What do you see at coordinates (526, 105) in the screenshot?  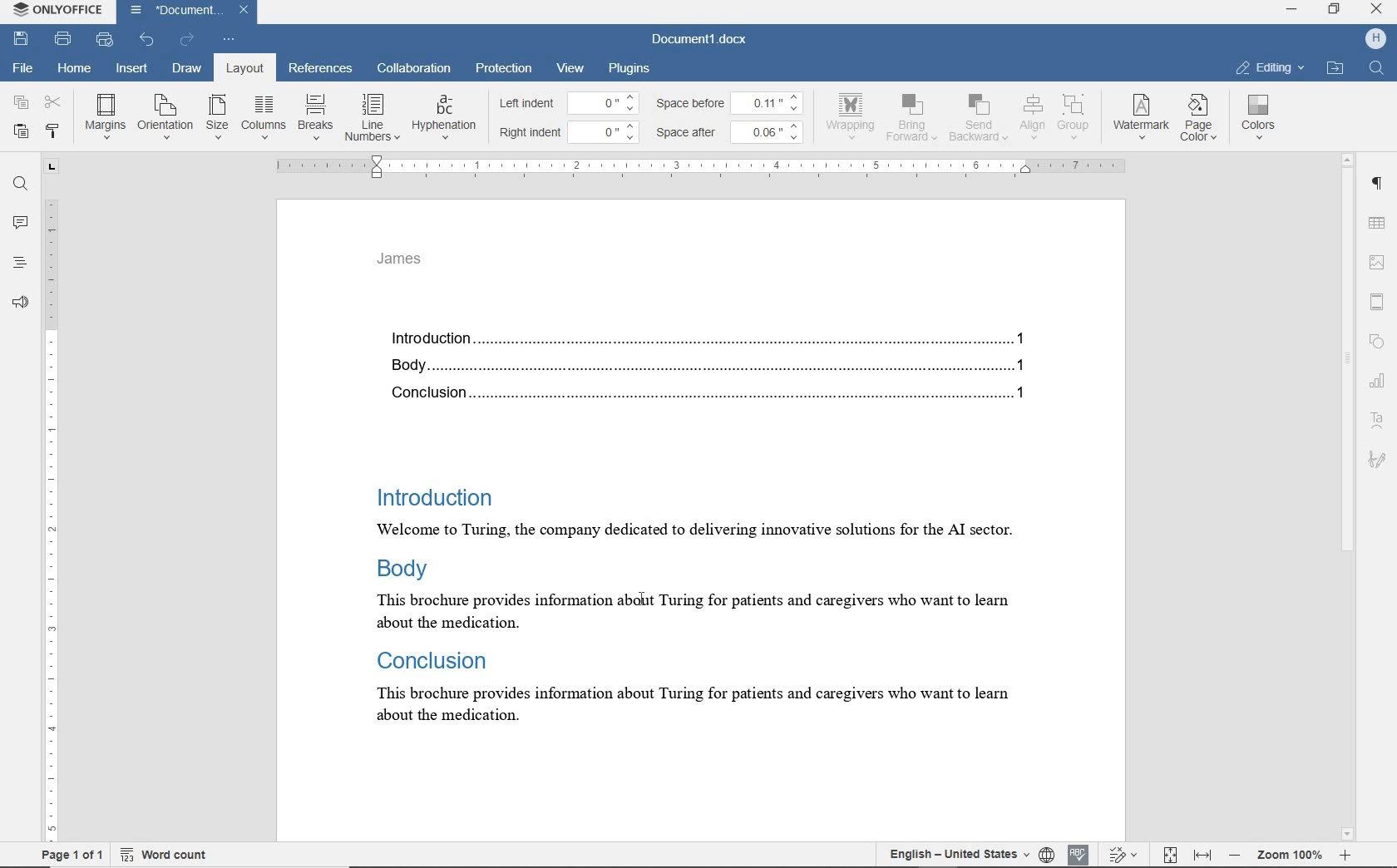 I see `left indent` at bounding box center [526, 105].